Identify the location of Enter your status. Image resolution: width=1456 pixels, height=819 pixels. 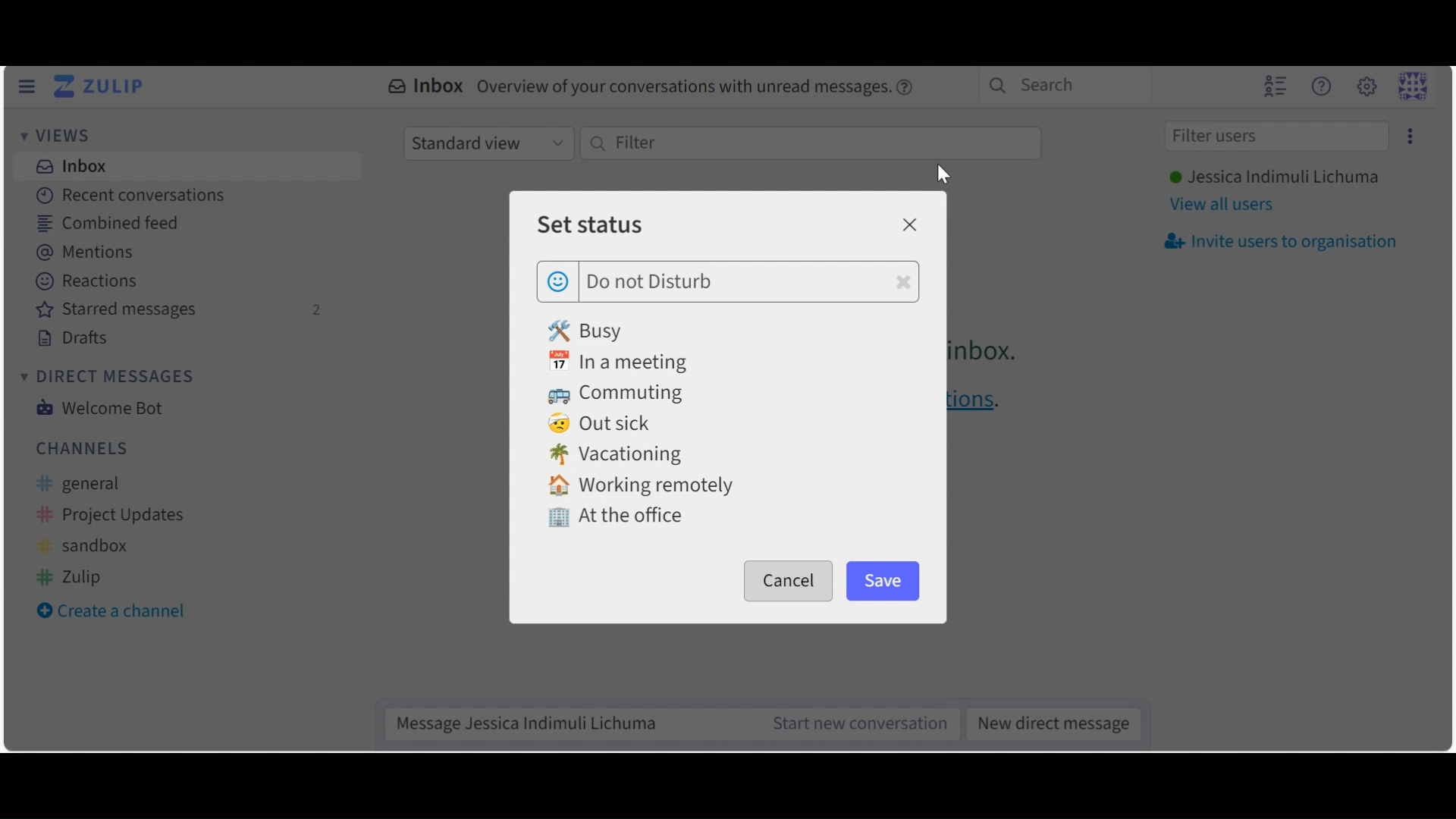
(749, 282).